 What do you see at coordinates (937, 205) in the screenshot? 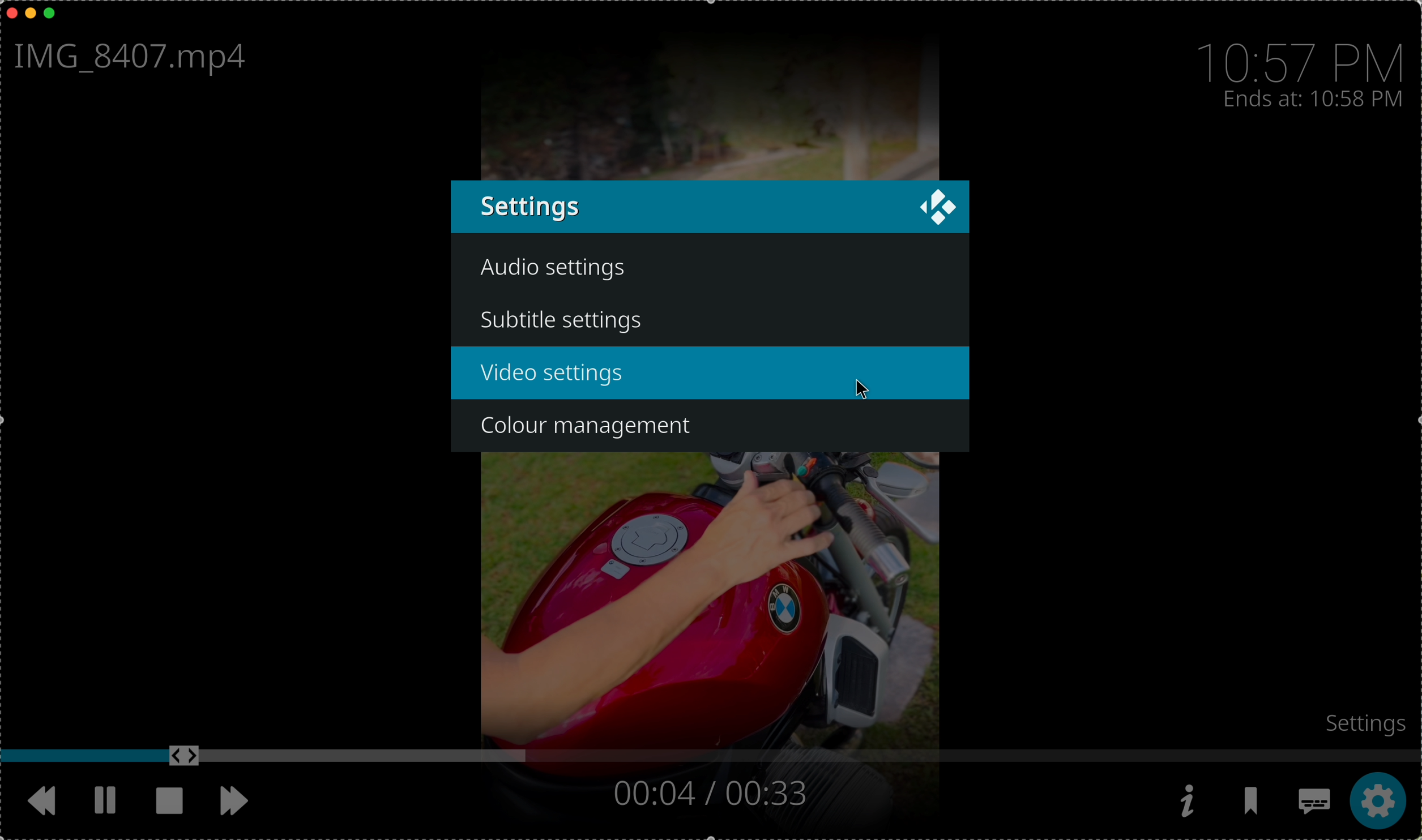
I see `KODI logo` at bounding box center [937, 205].